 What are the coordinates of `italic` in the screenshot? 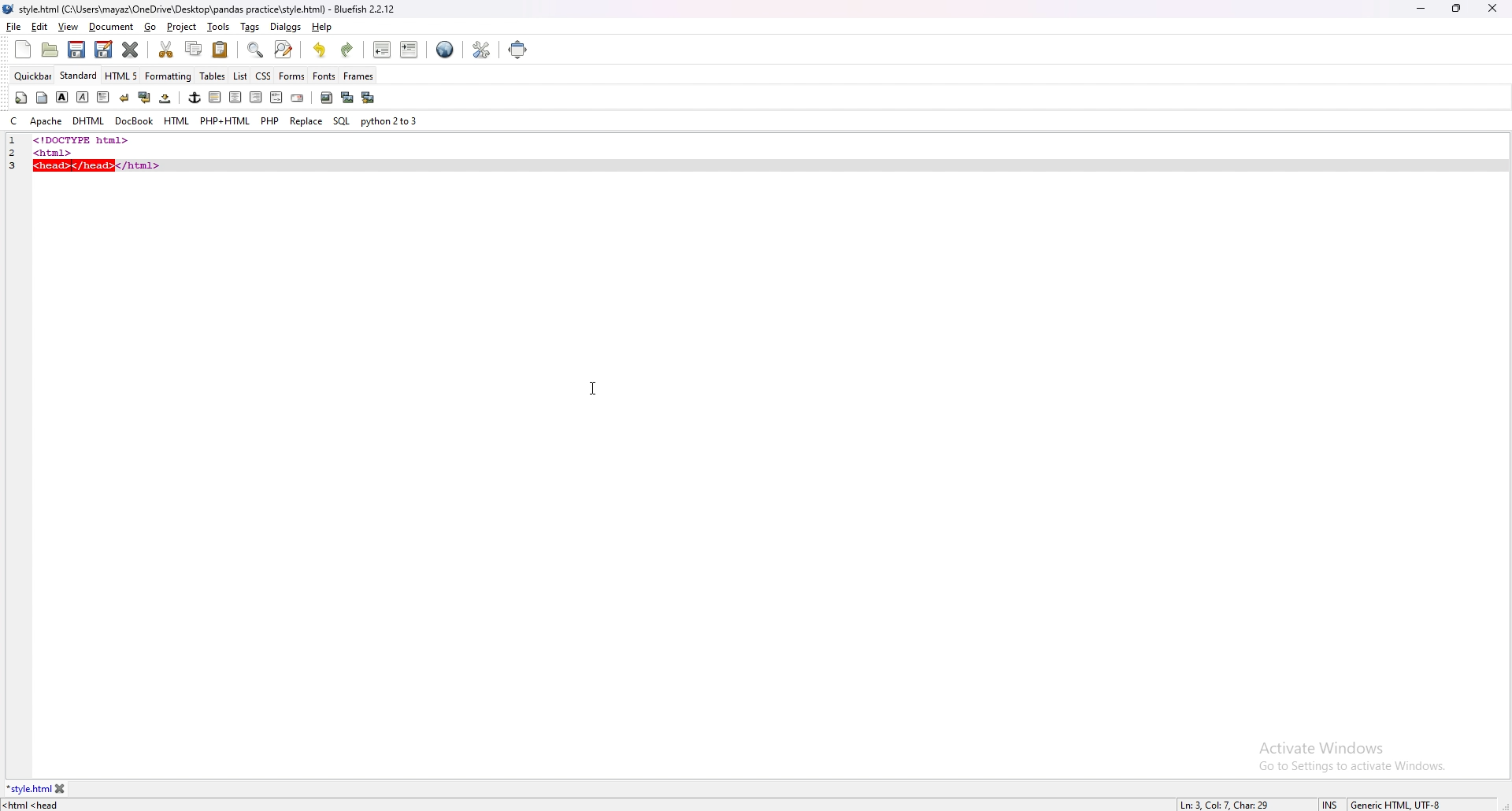 It's located at (83, 96).